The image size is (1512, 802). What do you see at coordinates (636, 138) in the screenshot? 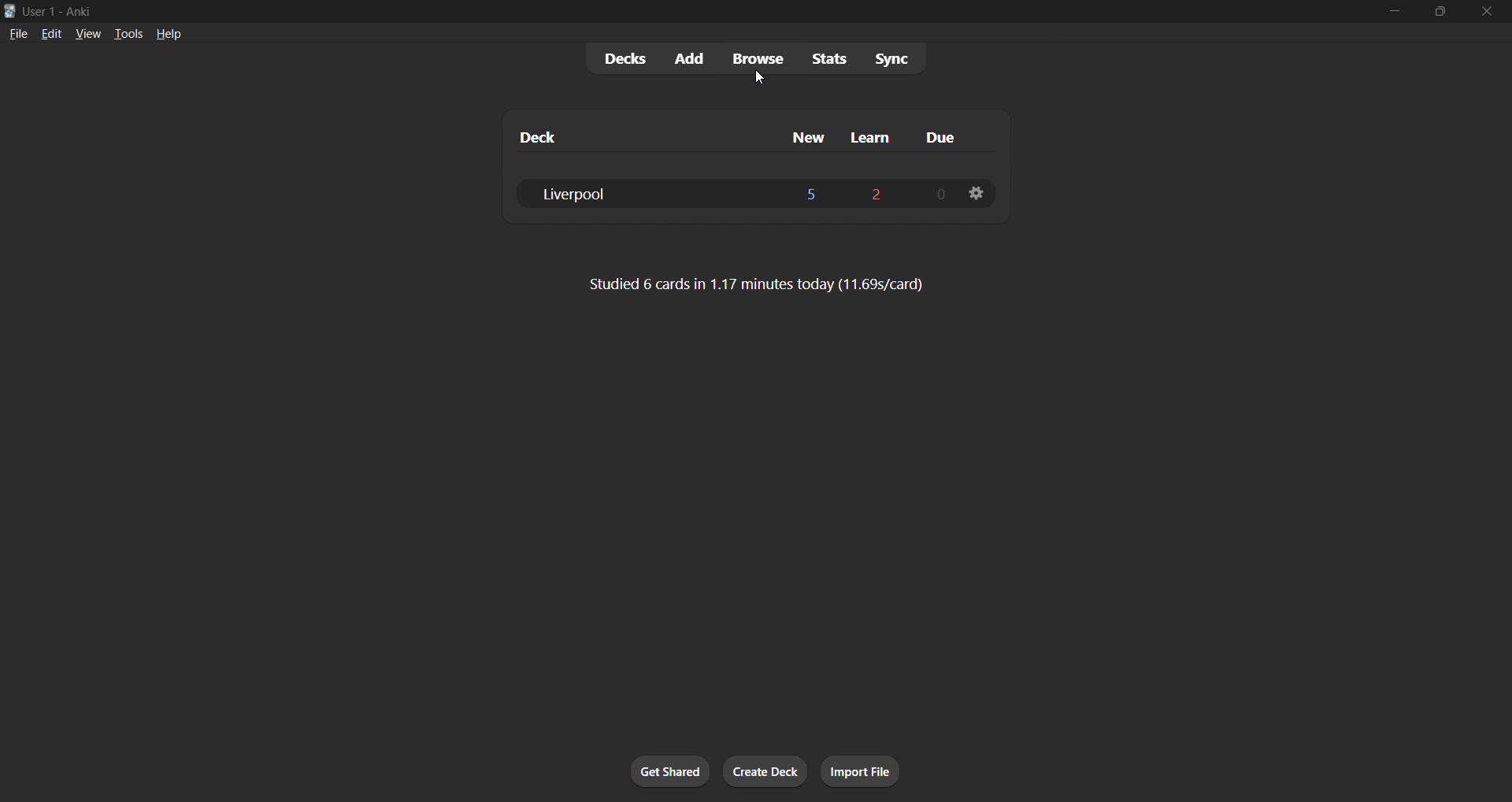
I see `deck name column` at bounding box center [636, 138].